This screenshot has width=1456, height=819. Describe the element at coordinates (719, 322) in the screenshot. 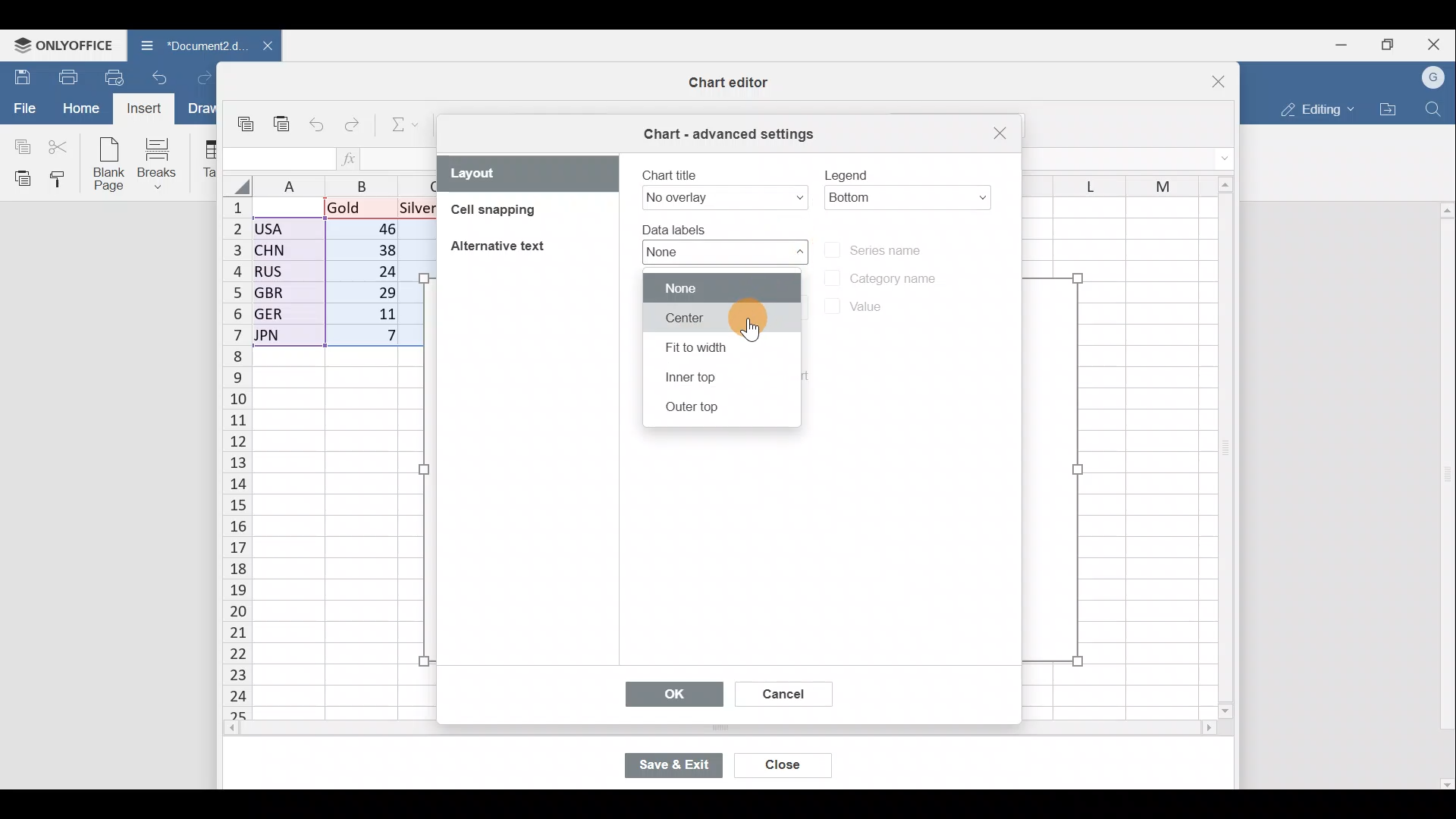

I see `Cursor on center` at that location.